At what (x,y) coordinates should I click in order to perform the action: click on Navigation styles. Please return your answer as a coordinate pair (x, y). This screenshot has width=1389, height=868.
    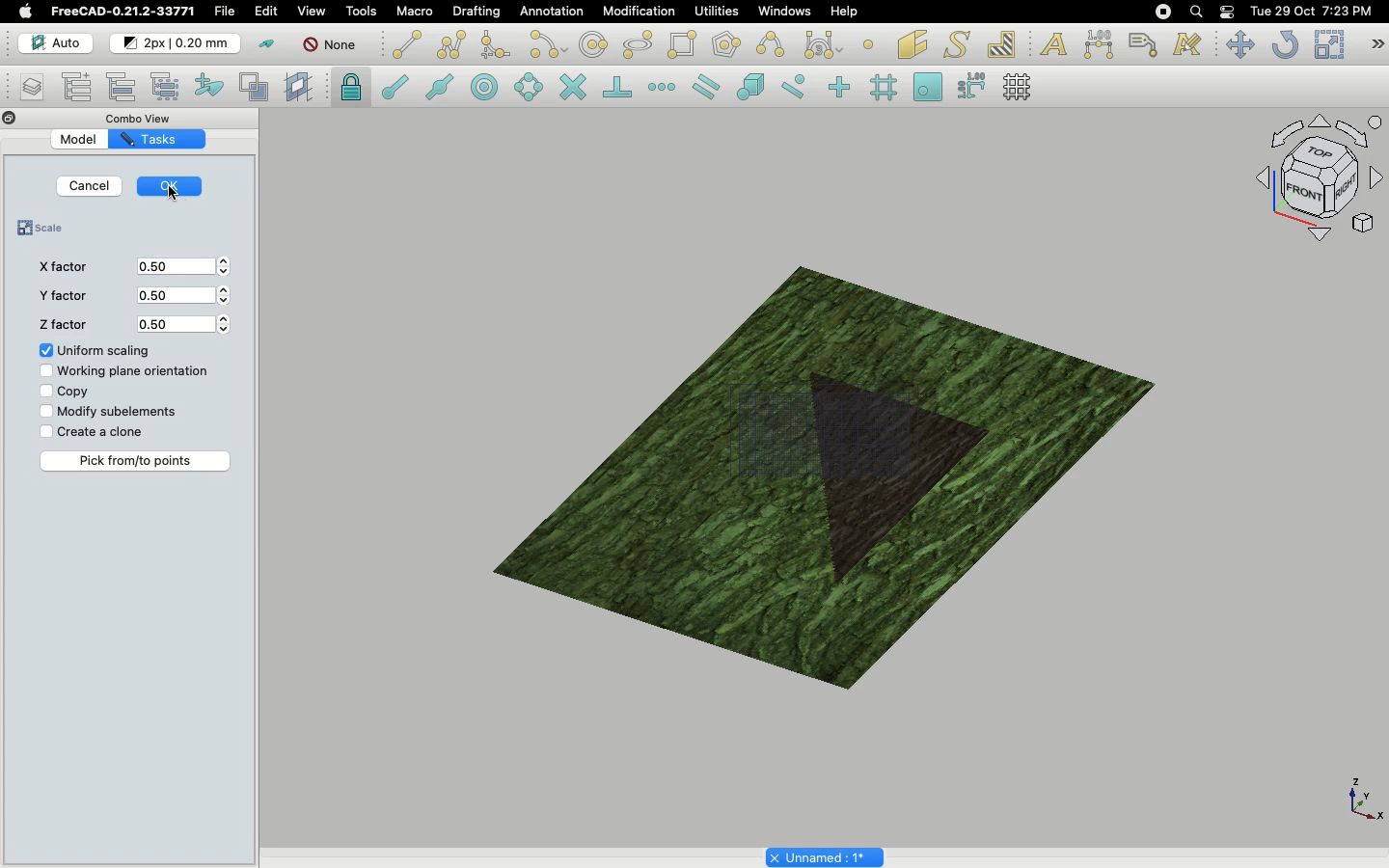
    Looking at the image, I should click on (1315, 181).